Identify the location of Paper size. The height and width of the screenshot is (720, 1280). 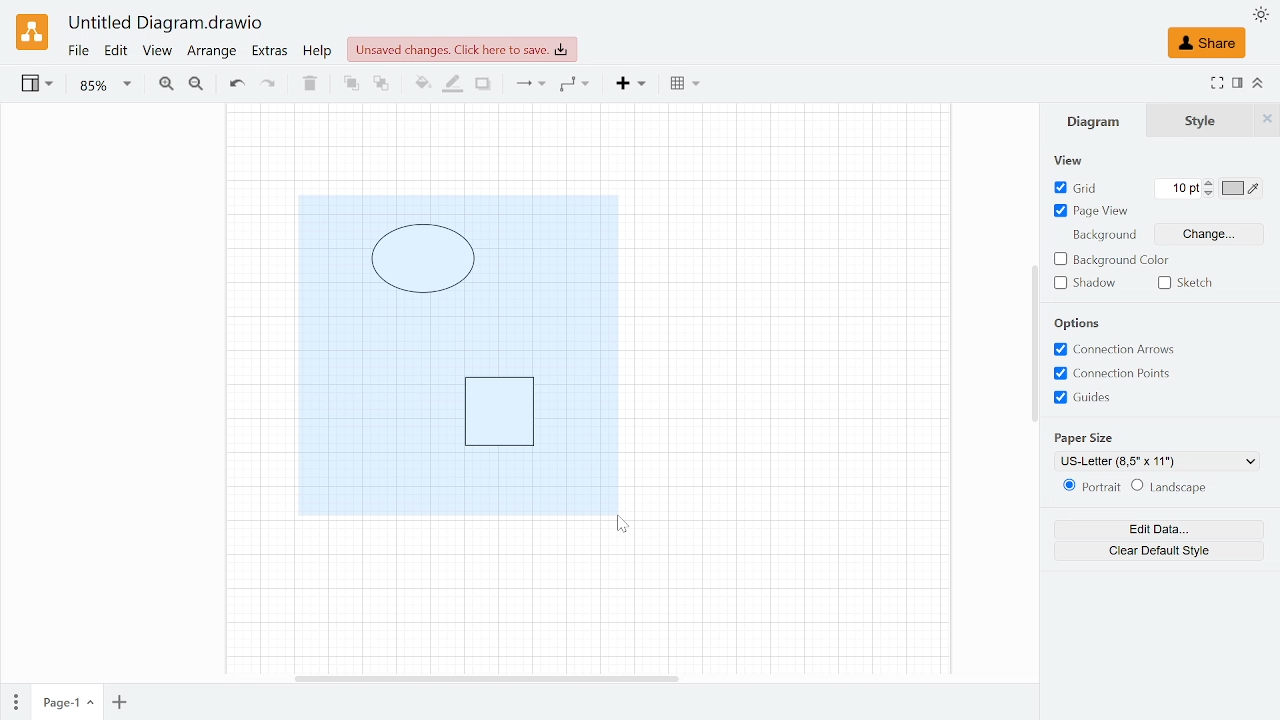
(1158, 461).